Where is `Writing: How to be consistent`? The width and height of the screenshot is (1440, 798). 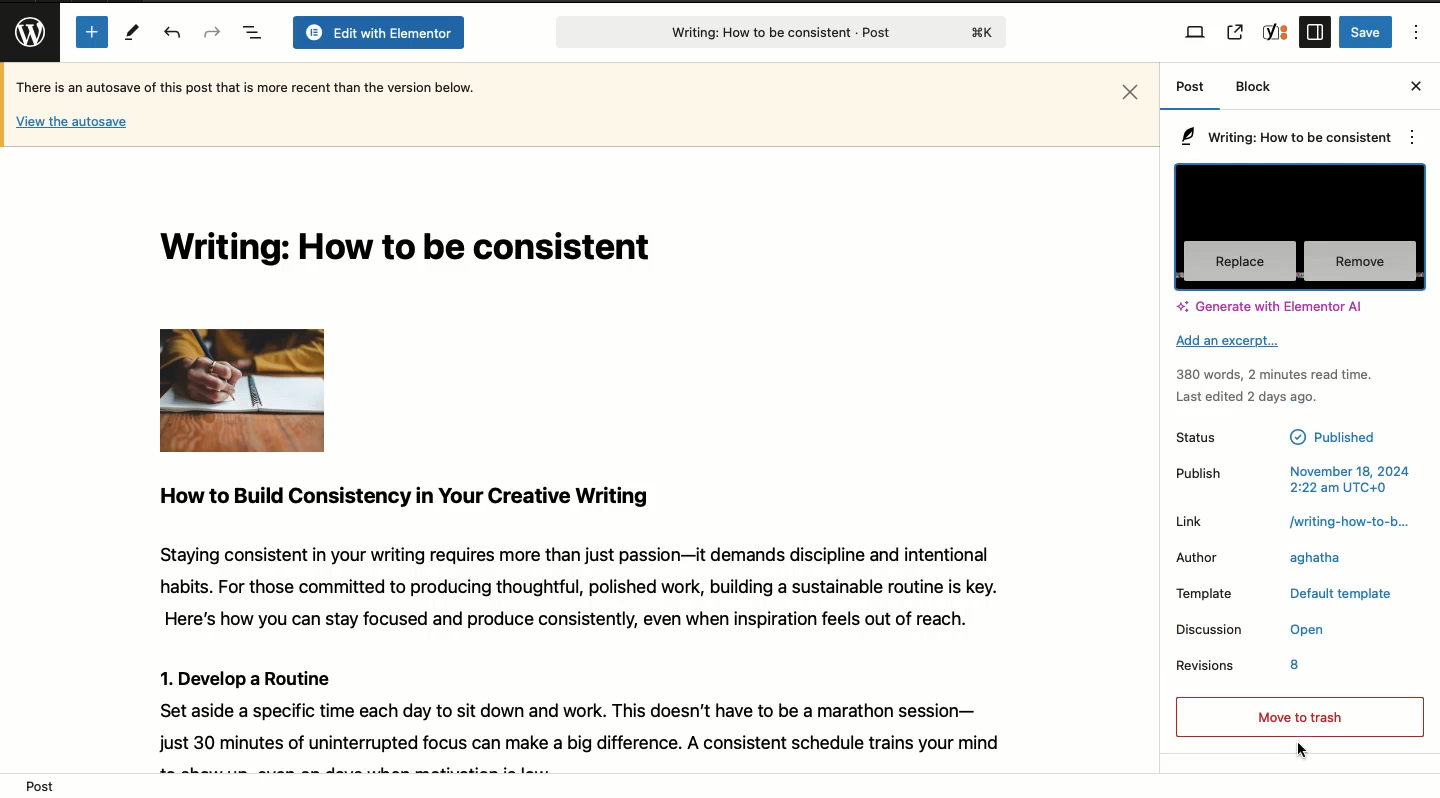 Writing: How to be consistent is located at coordinates (416, 251).